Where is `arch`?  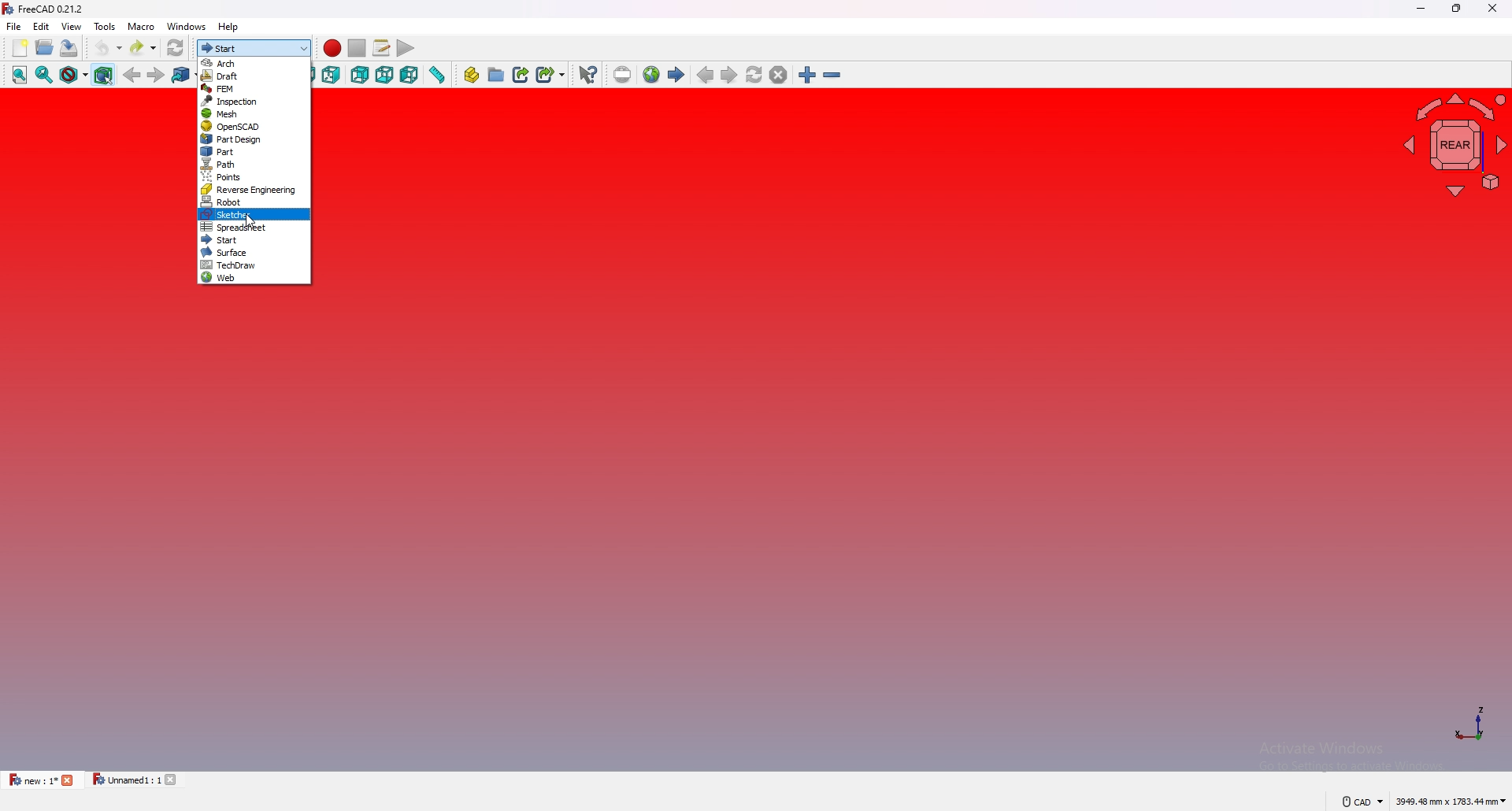 arch is located at coordinates (254, 63).